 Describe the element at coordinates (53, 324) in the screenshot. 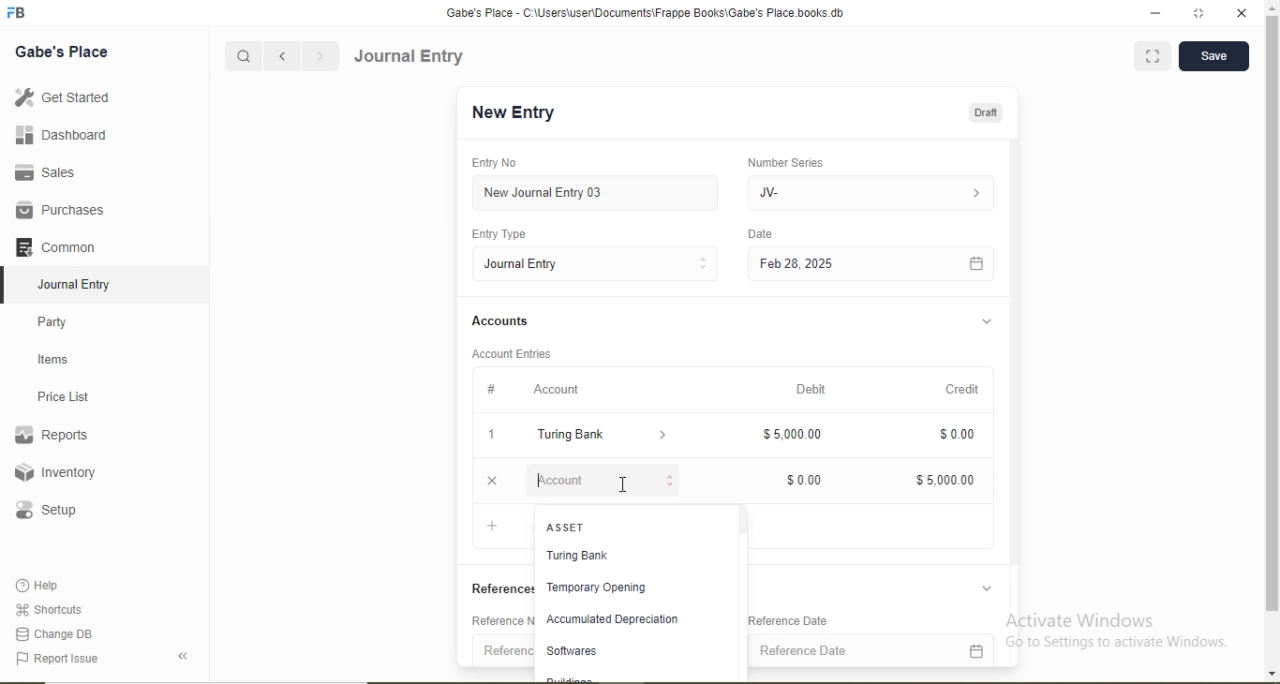

I see `Party` at that location.